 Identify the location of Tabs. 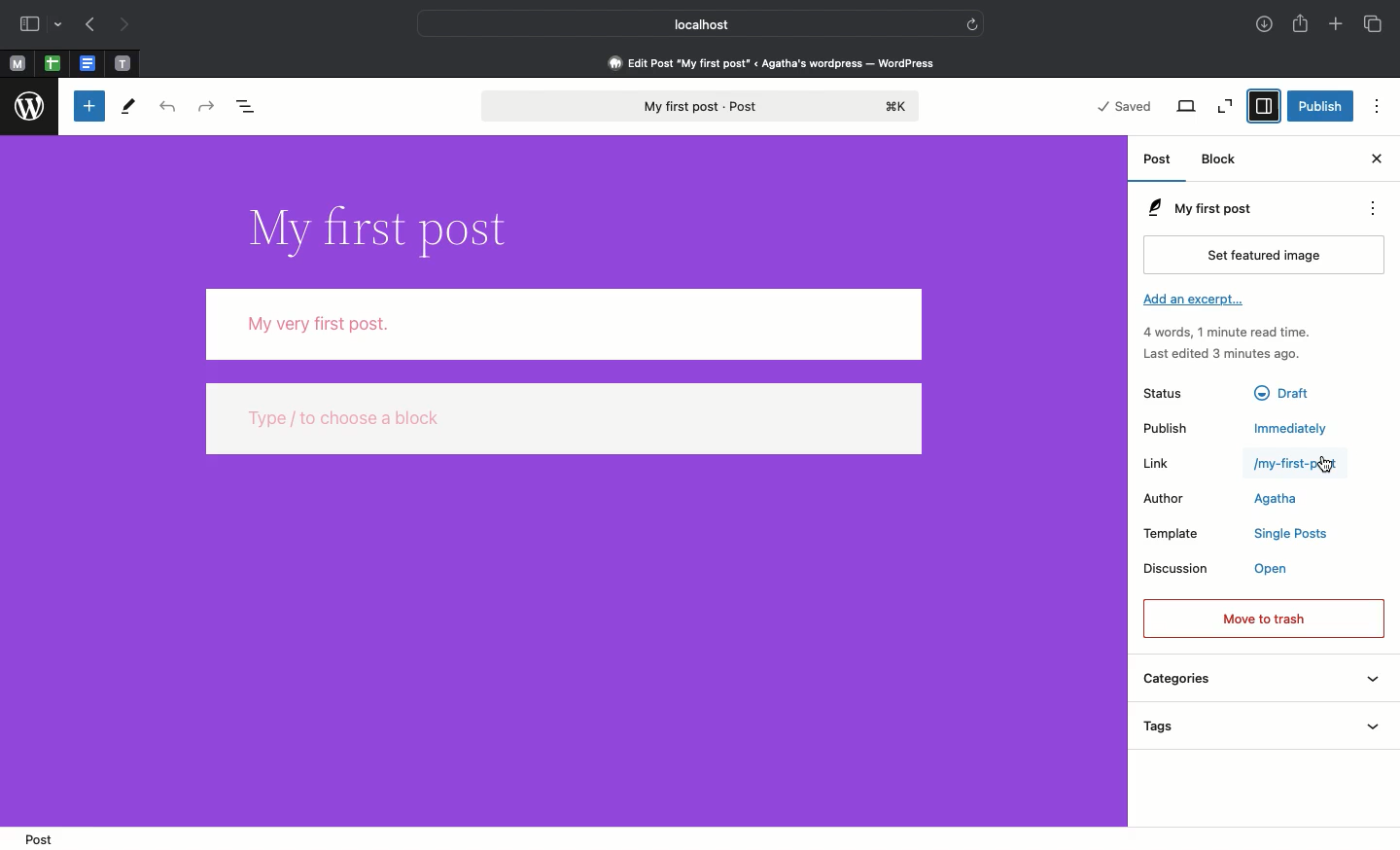
(1376, 24).